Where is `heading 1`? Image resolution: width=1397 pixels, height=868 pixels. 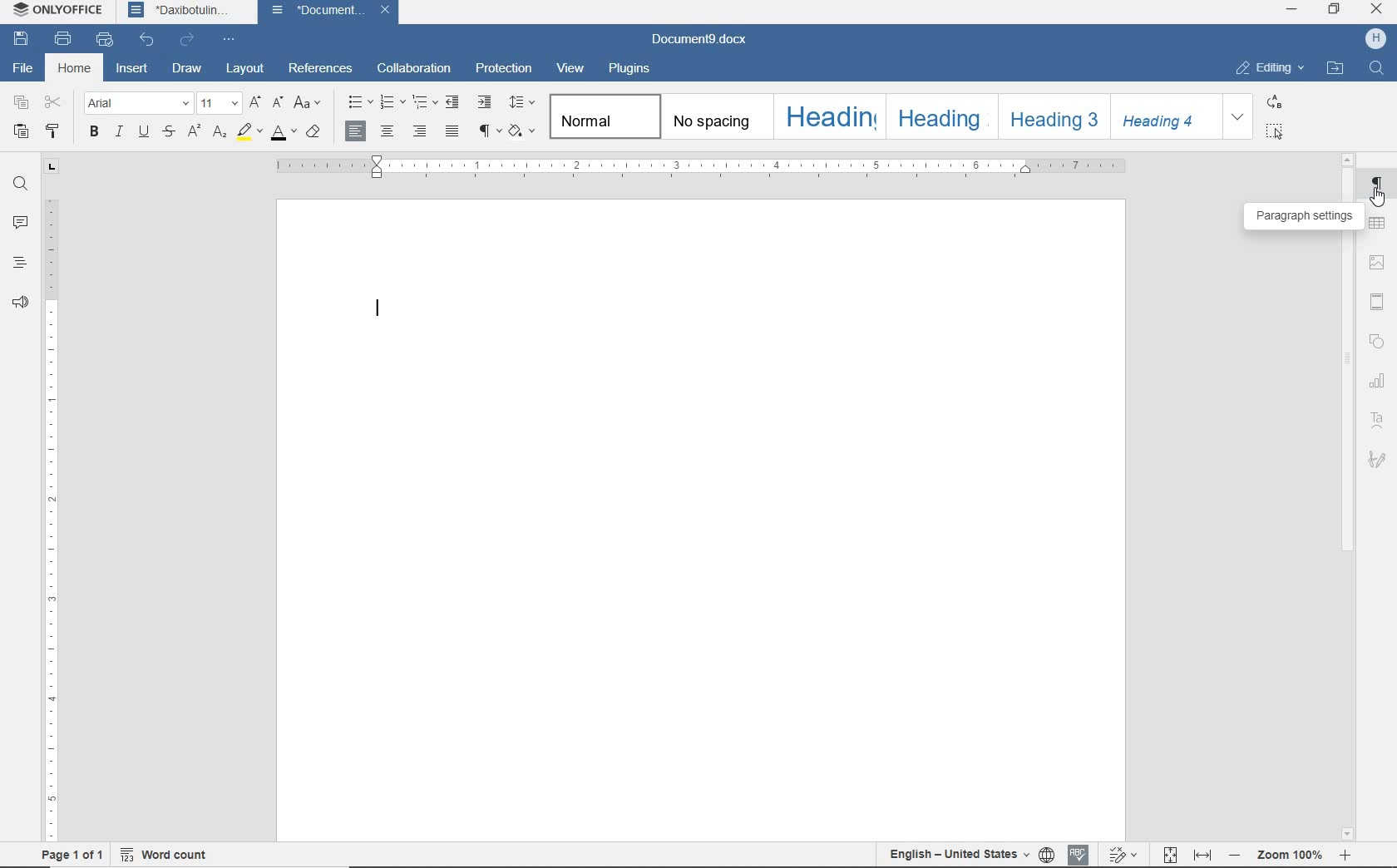 heading 1 is located at coordinates (828, 118).